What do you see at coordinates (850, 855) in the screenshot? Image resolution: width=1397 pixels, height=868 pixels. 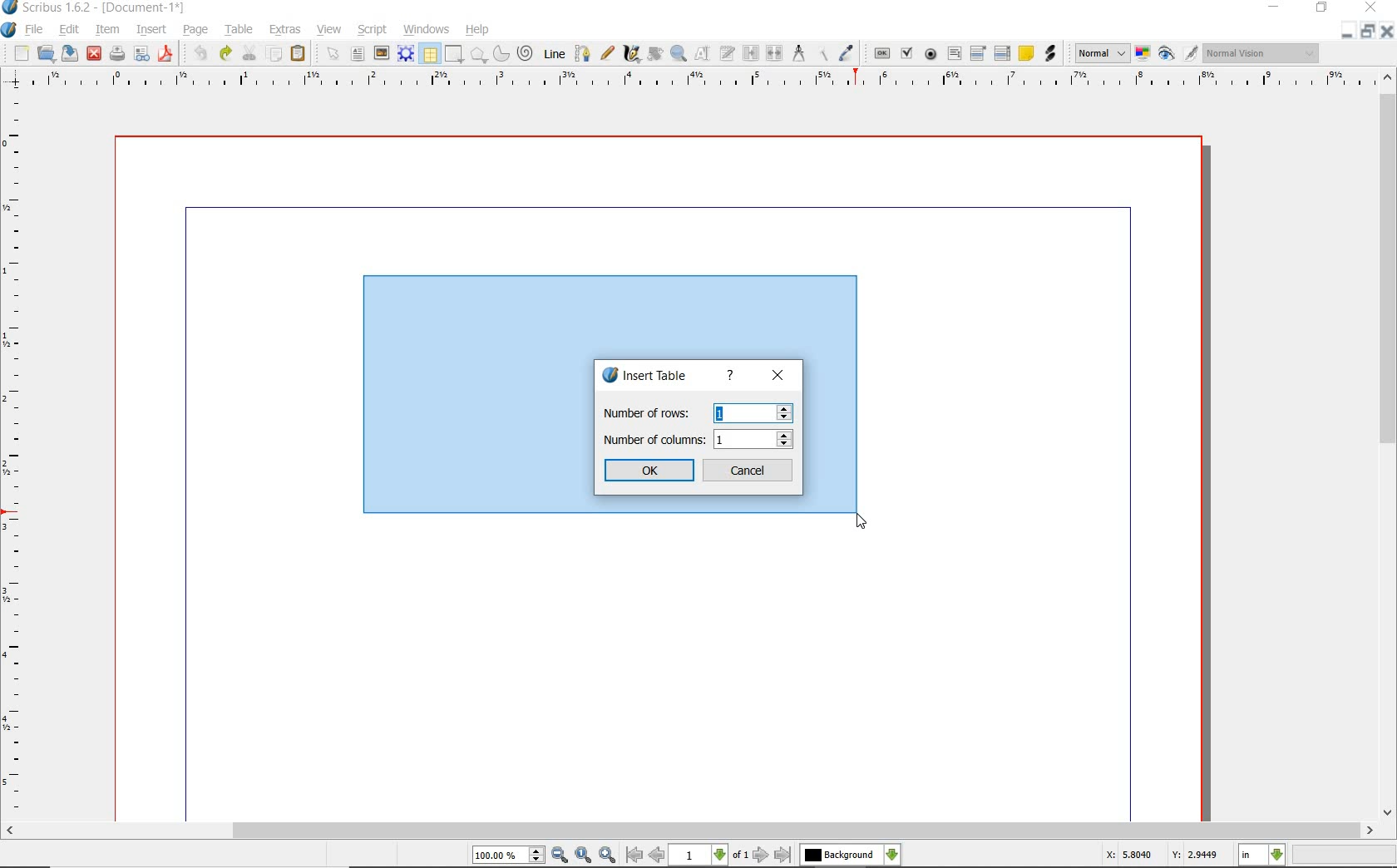 I see `select the current layer` at bounding box center [850, 855].